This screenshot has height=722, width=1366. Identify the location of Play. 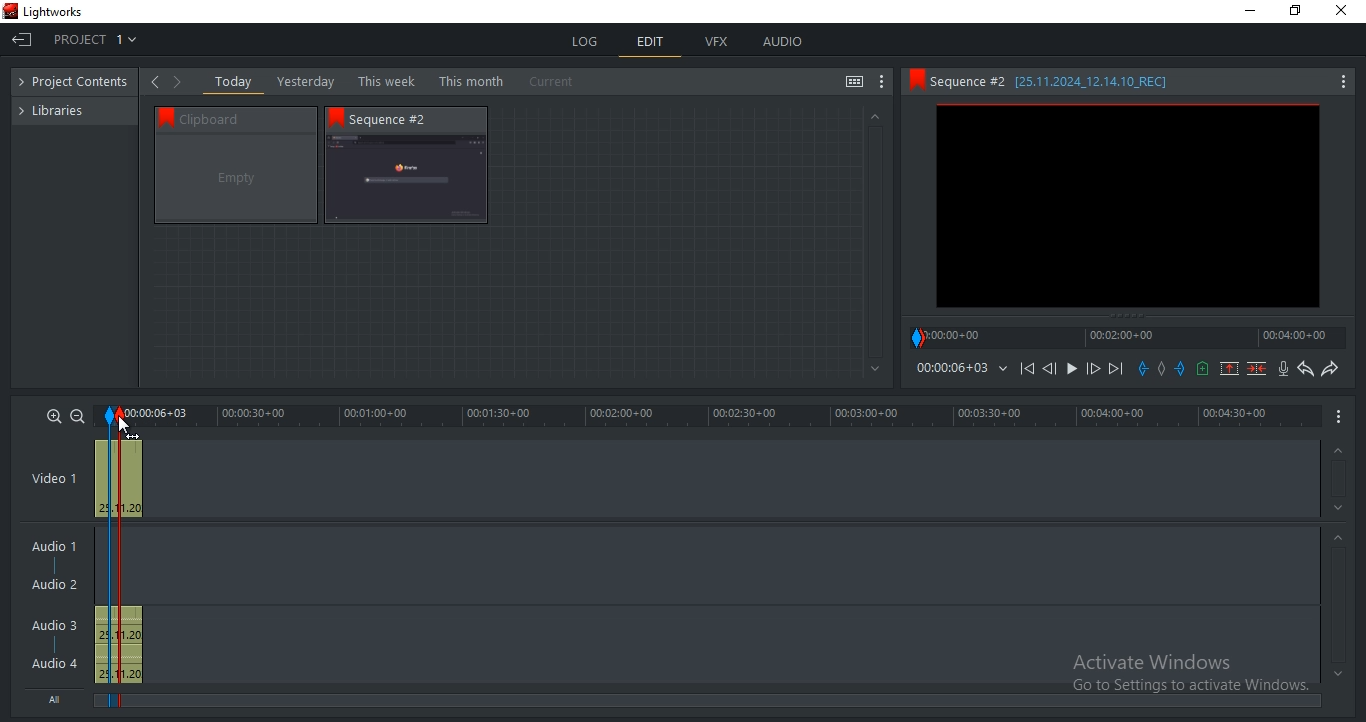
(1072, 369).